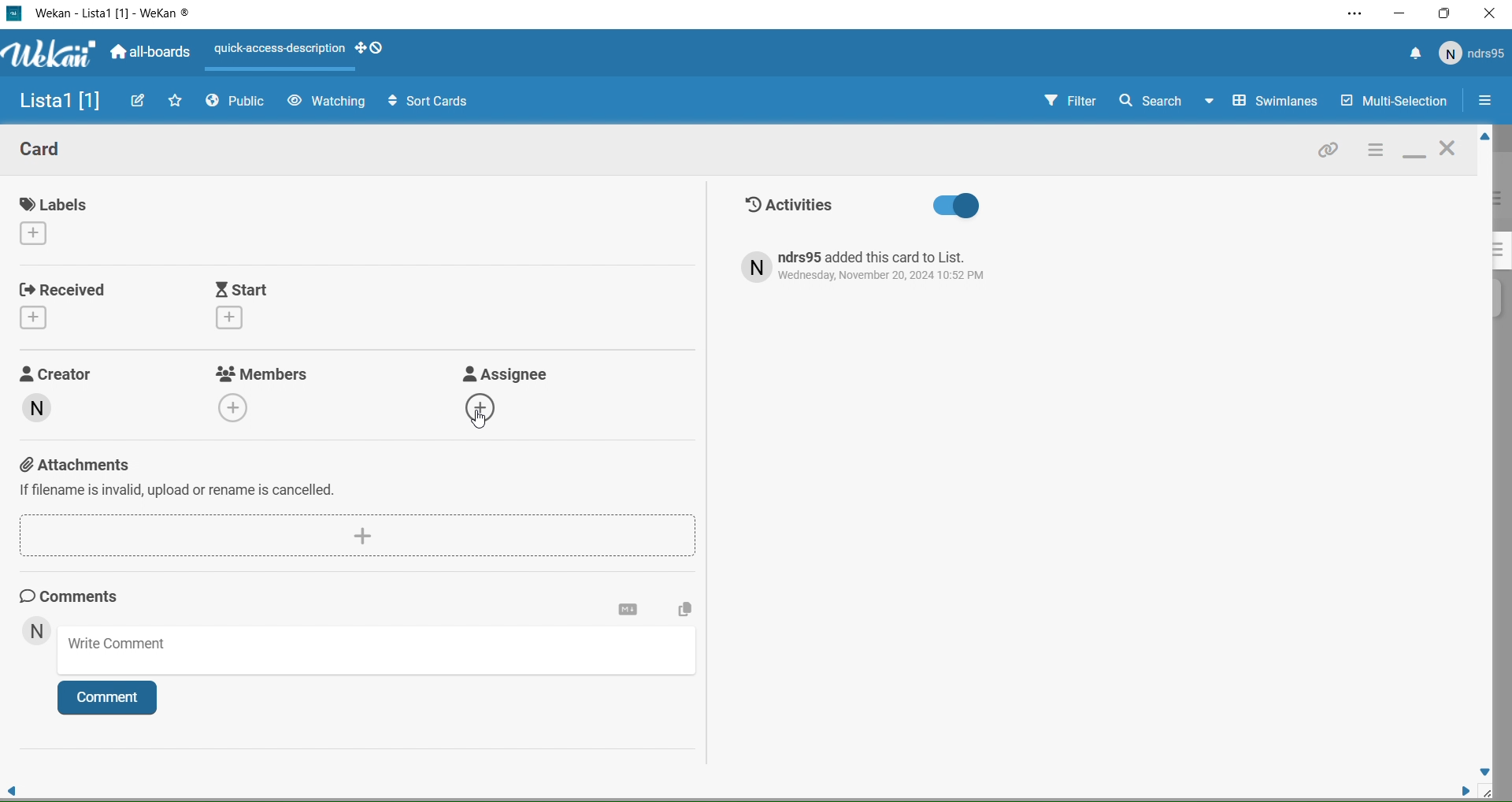 This screenshot has width=1512, height=802. Describe the element at coordinates (114, 699) in the screenshot. I see `Coment` at that location.